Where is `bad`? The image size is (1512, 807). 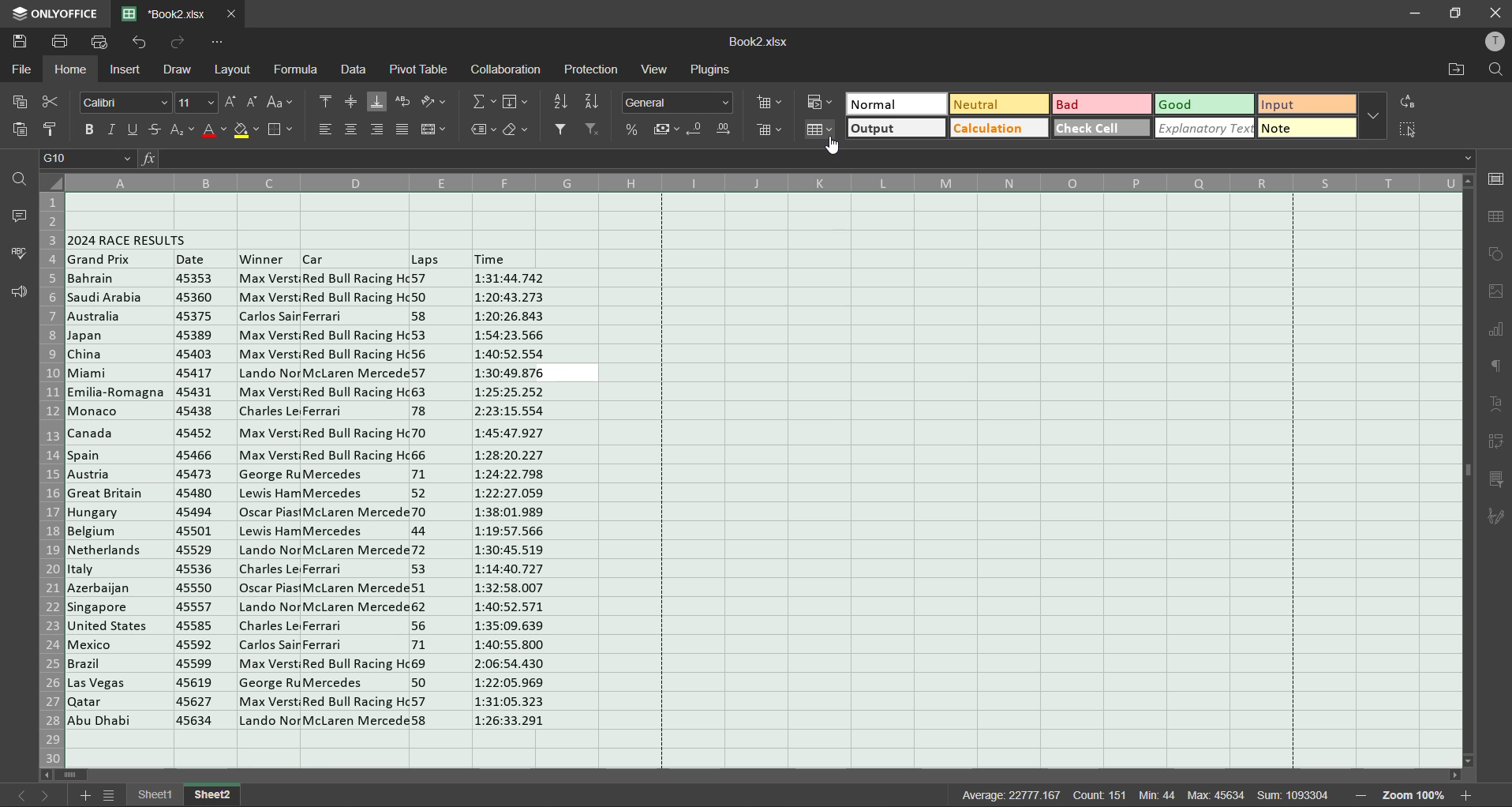 bad is located at coordinates (1099, 106).